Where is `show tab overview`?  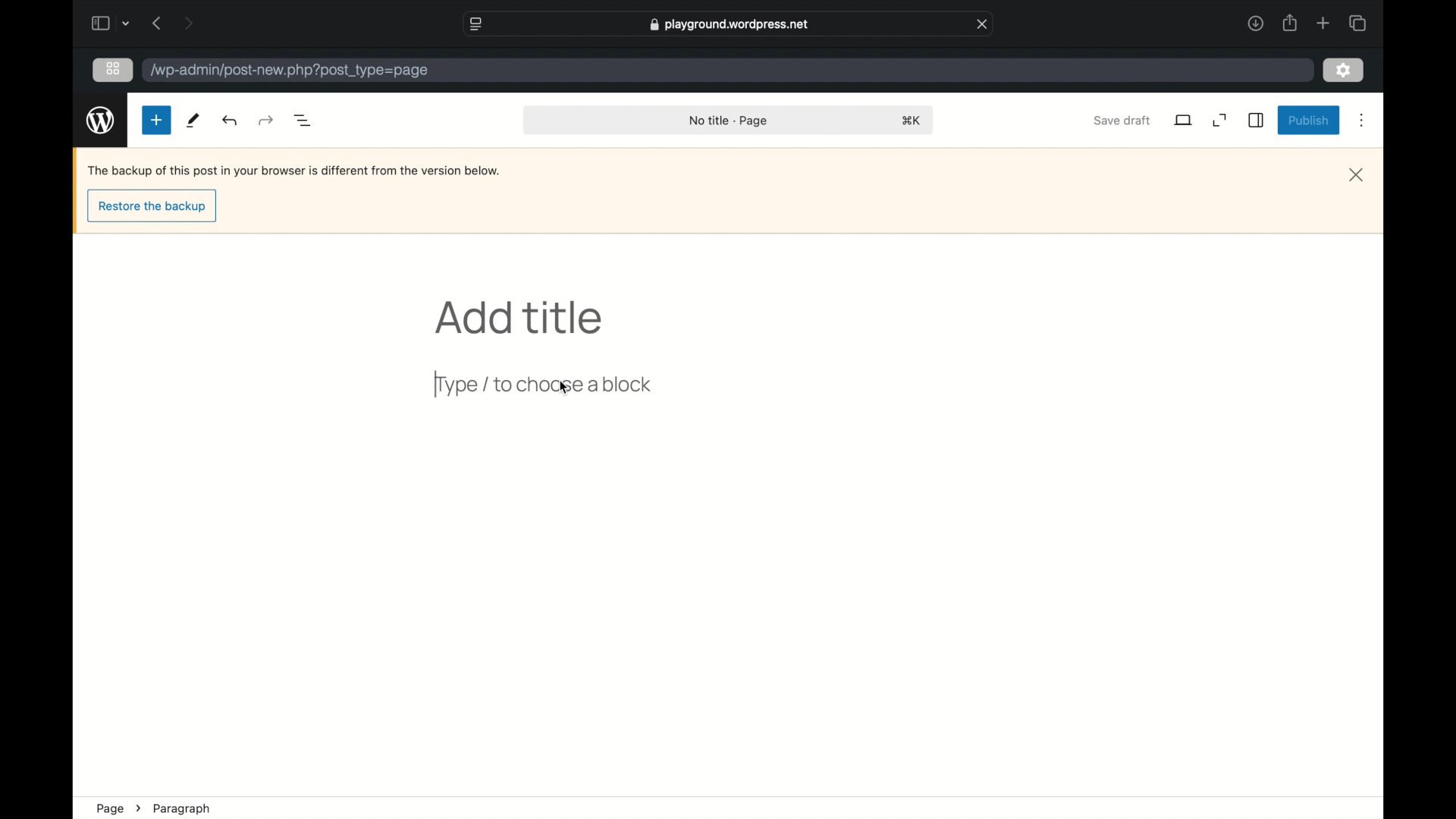
show tab overview is located at coordinates (1359, 23).